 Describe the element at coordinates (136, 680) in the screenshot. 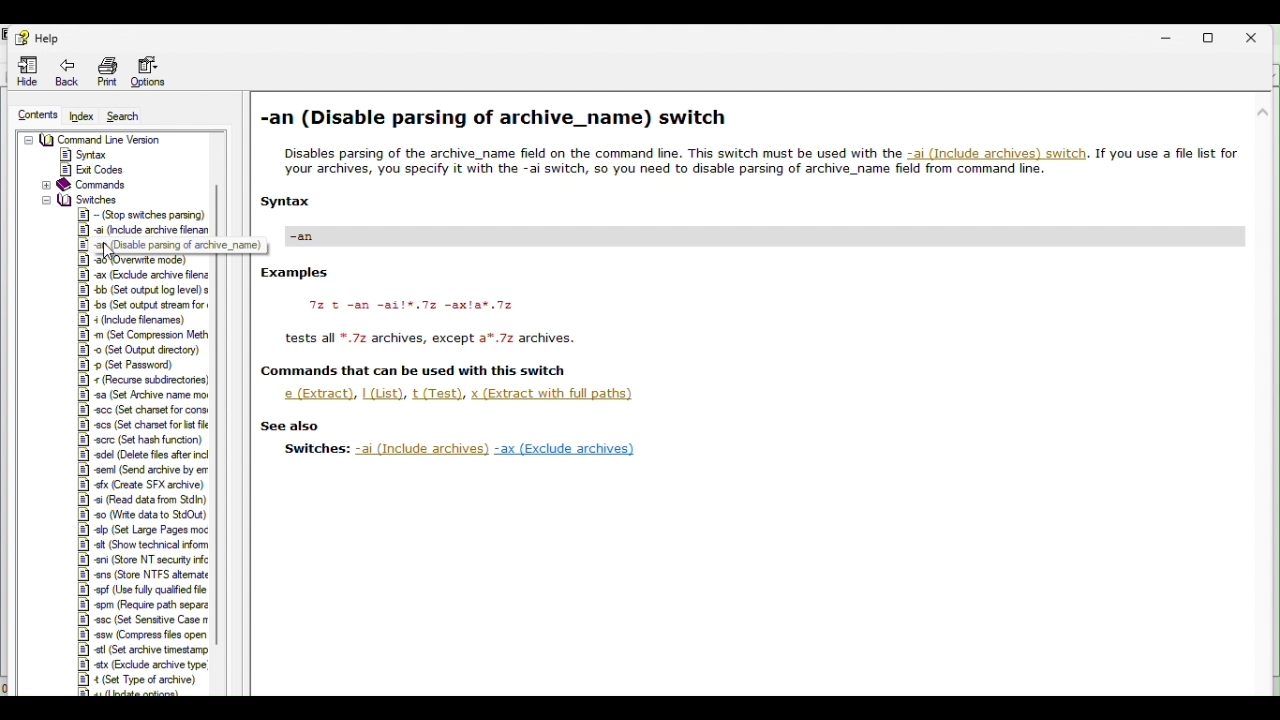

I see `§] 4 (Set Type of archive)` at that location.